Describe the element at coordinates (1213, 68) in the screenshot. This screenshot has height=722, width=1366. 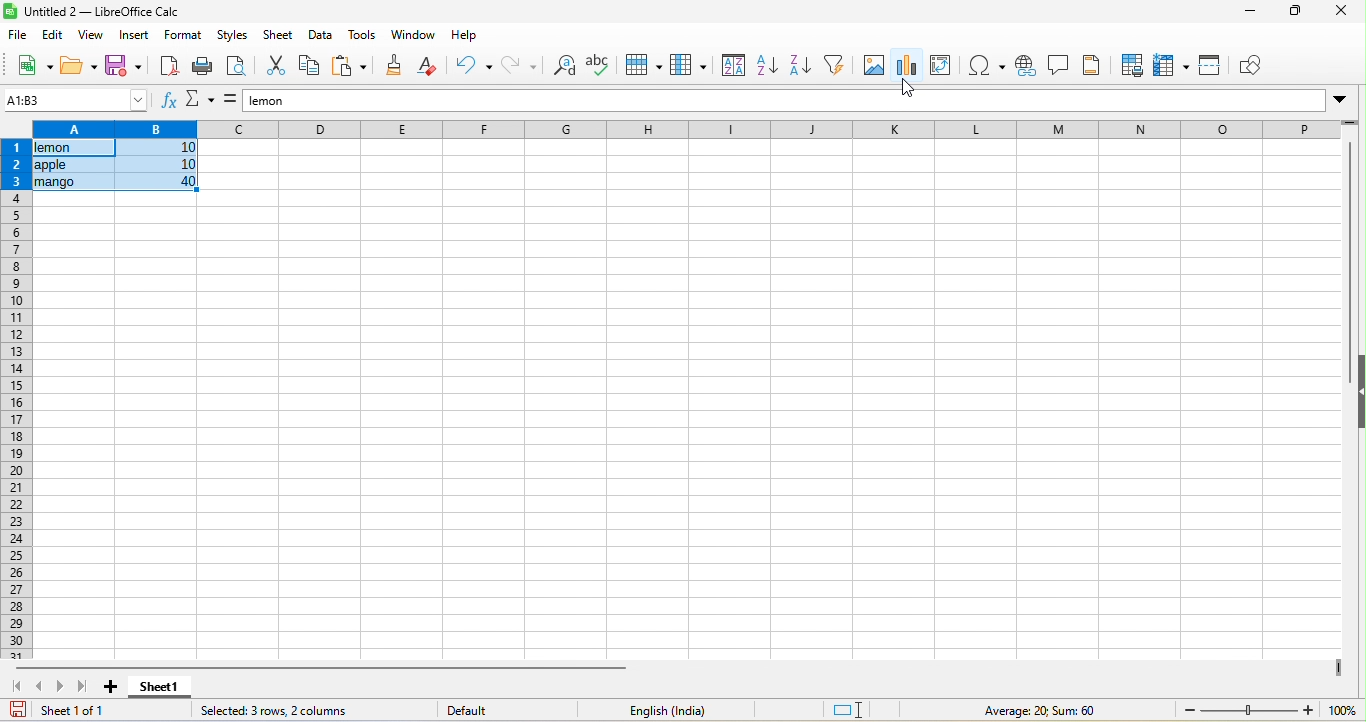
I see `split window` at that location.